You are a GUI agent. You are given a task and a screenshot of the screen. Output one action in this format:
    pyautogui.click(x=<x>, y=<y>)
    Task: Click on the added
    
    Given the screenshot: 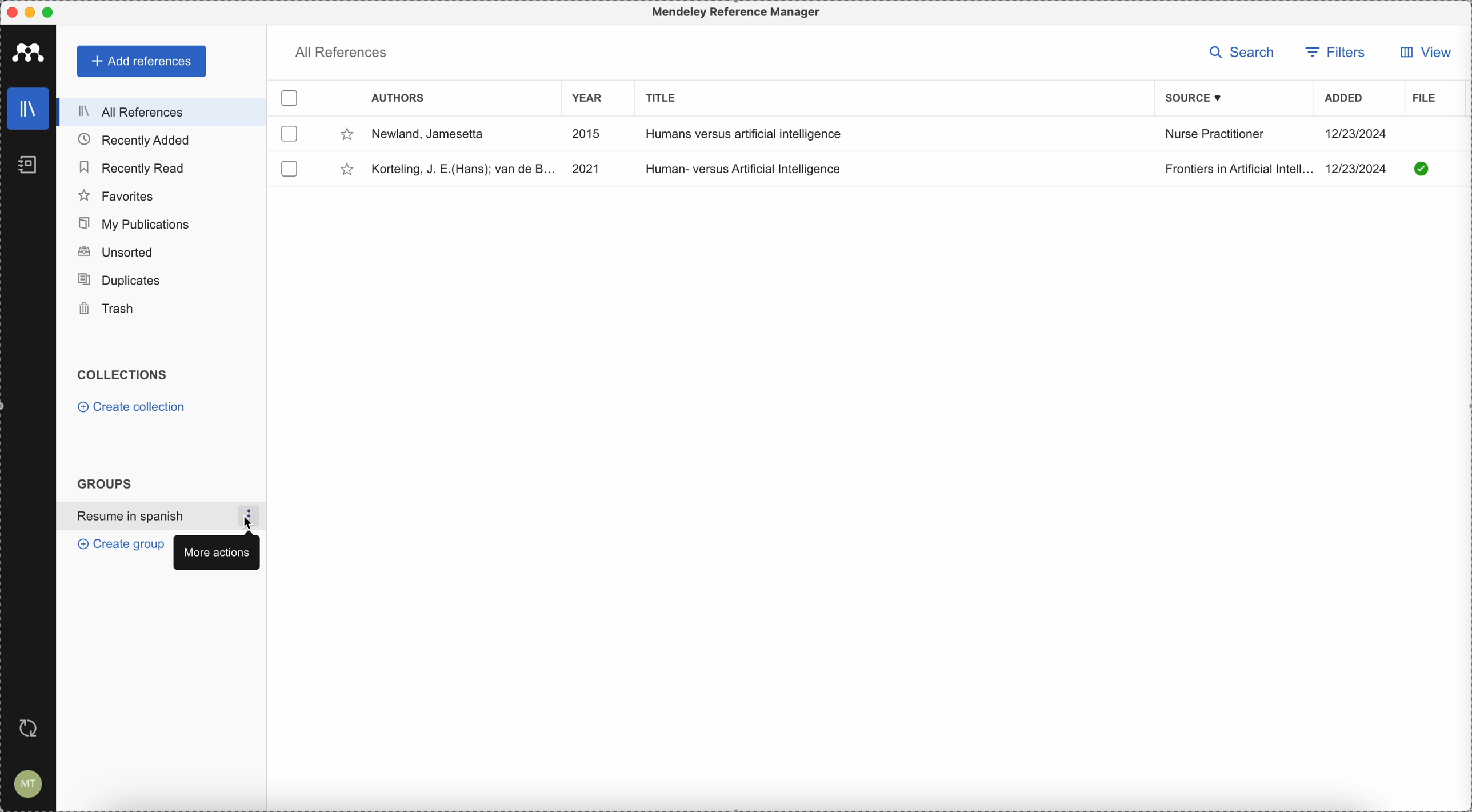 What is the action you would take?
    pyautogui.click(x=1344, y=99)
    